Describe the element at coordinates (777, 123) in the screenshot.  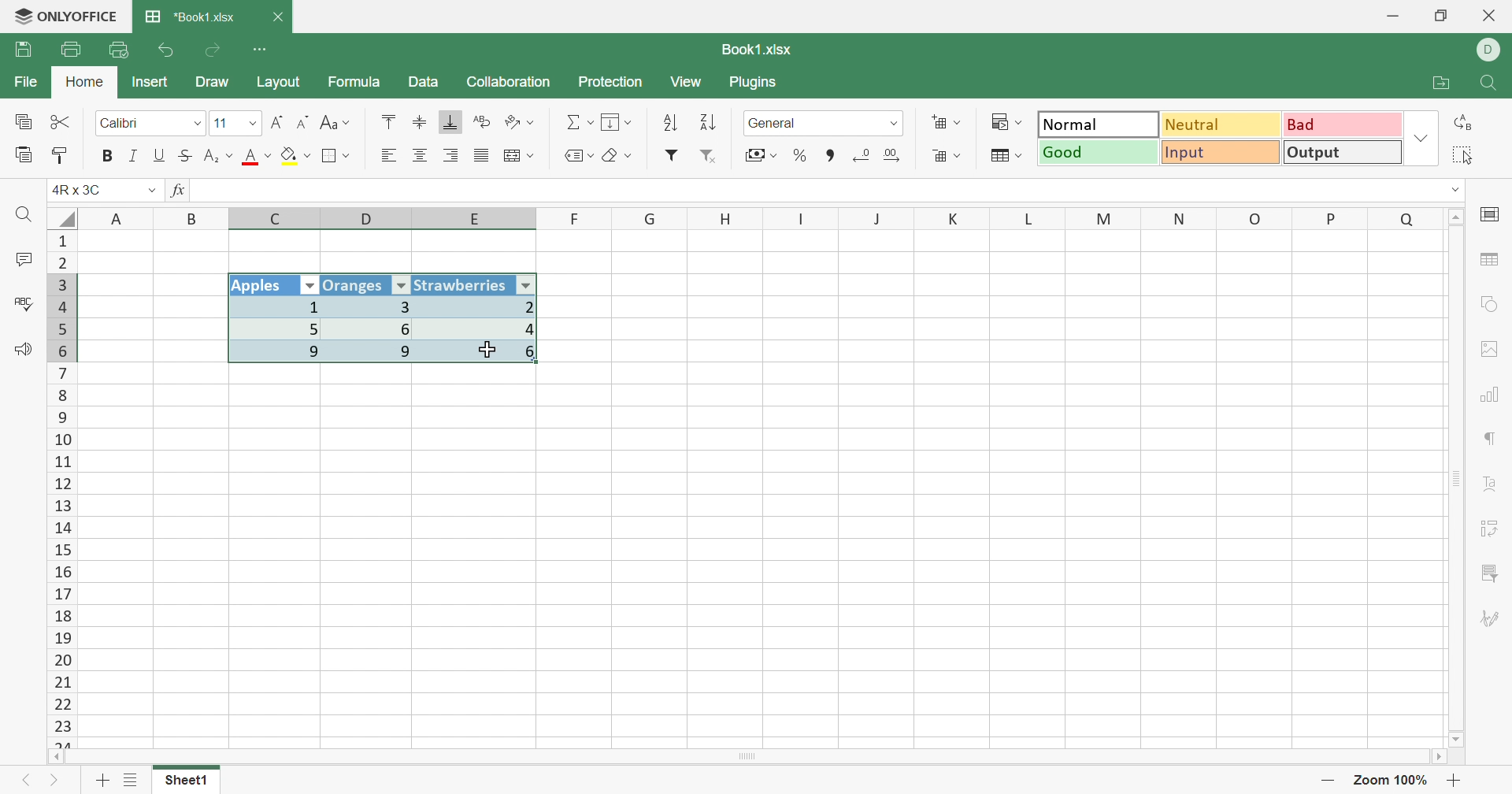
I see `General` at that location.